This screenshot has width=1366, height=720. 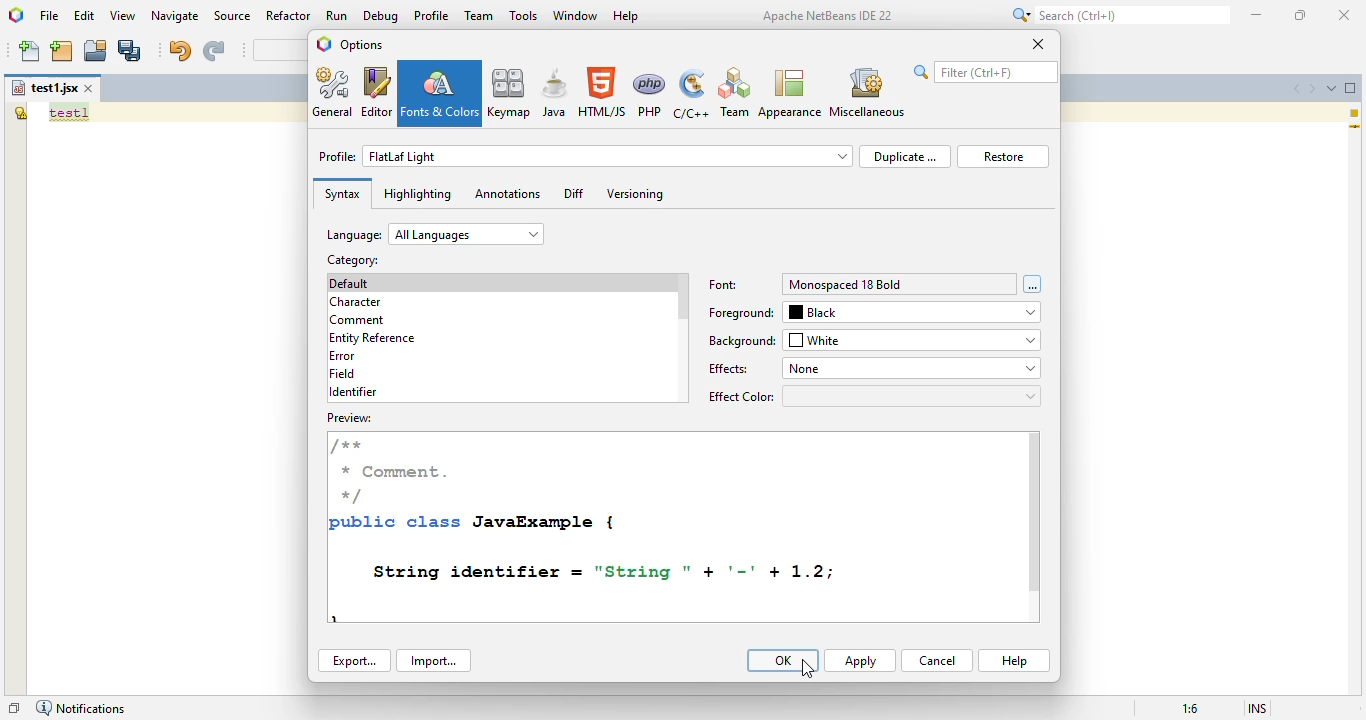 What do you see at coordinates (724, 285) in the screenshot?
I see `font` at bounding box center [724, 285].